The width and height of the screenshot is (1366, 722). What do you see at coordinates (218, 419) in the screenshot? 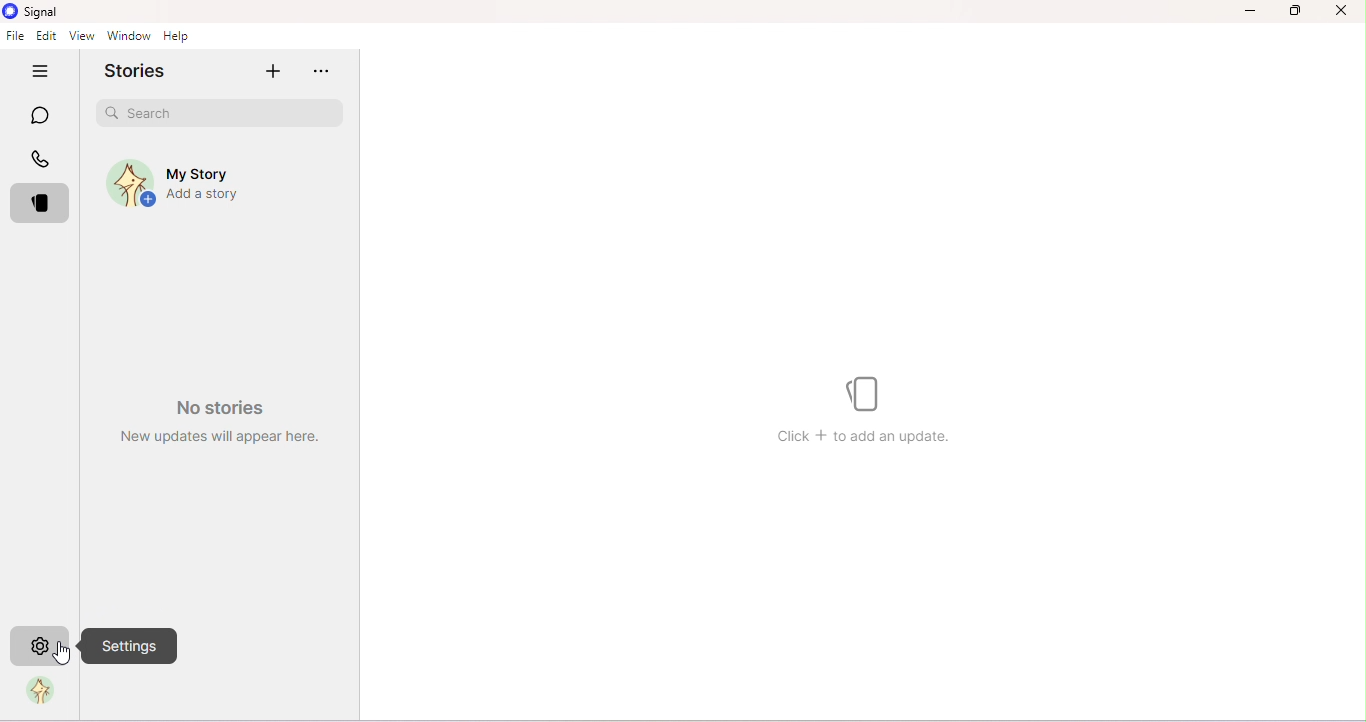
I see `Watermark- No stories` at bounding box center [218, 419].